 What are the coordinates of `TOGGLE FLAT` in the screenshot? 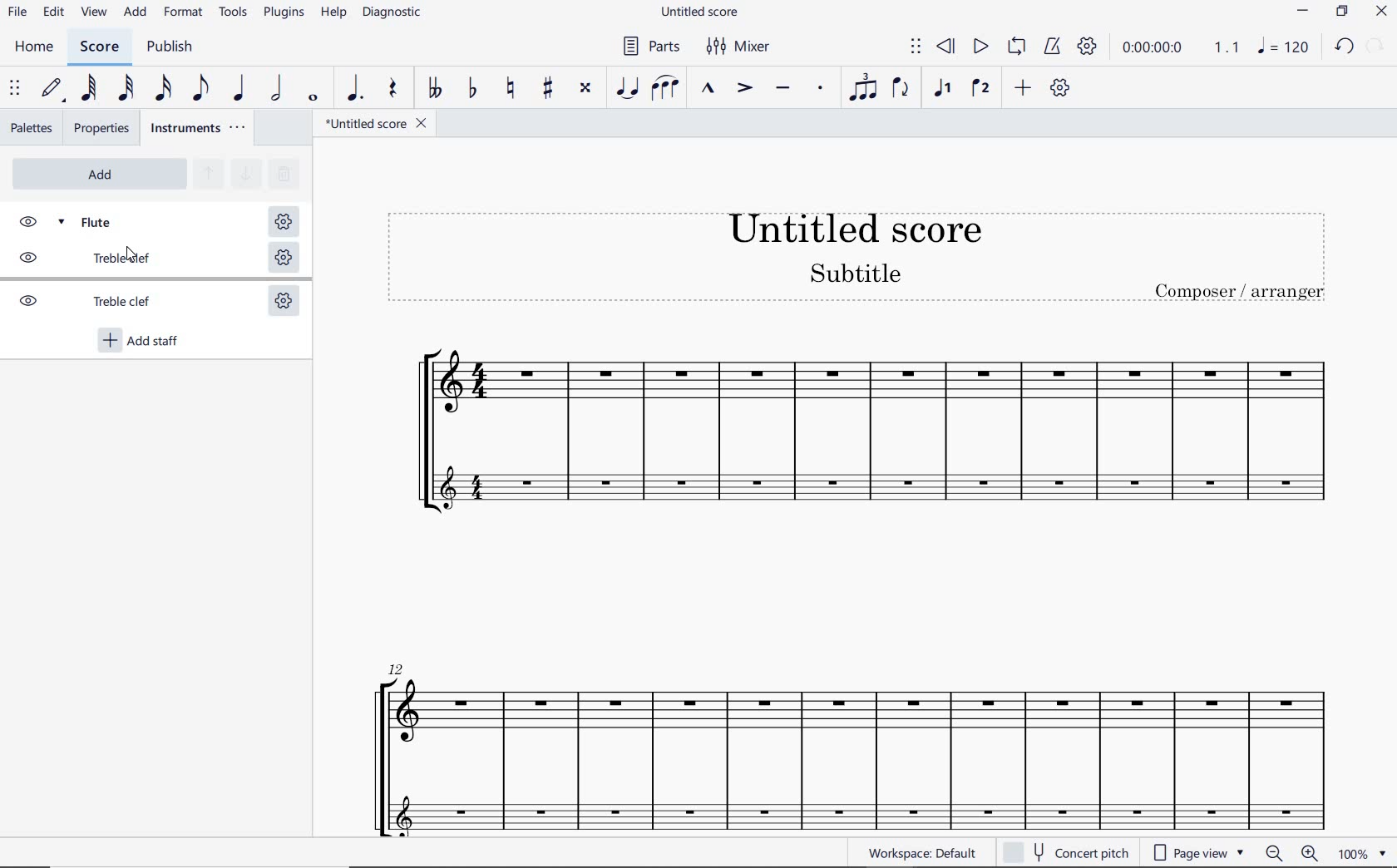 It's located at (473, 89).